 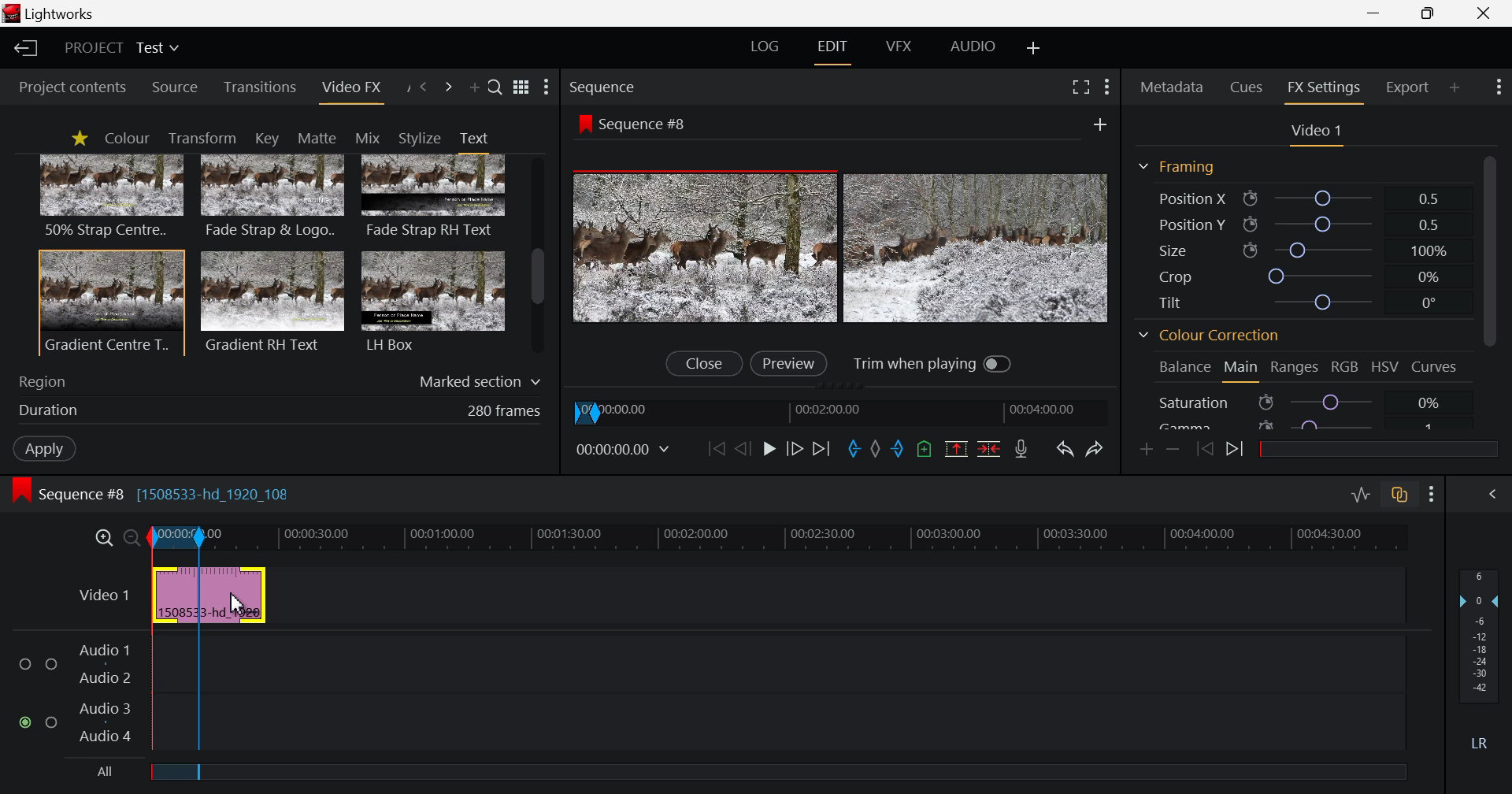 I want to click on Preview Altered, so click(x=845, y=244).